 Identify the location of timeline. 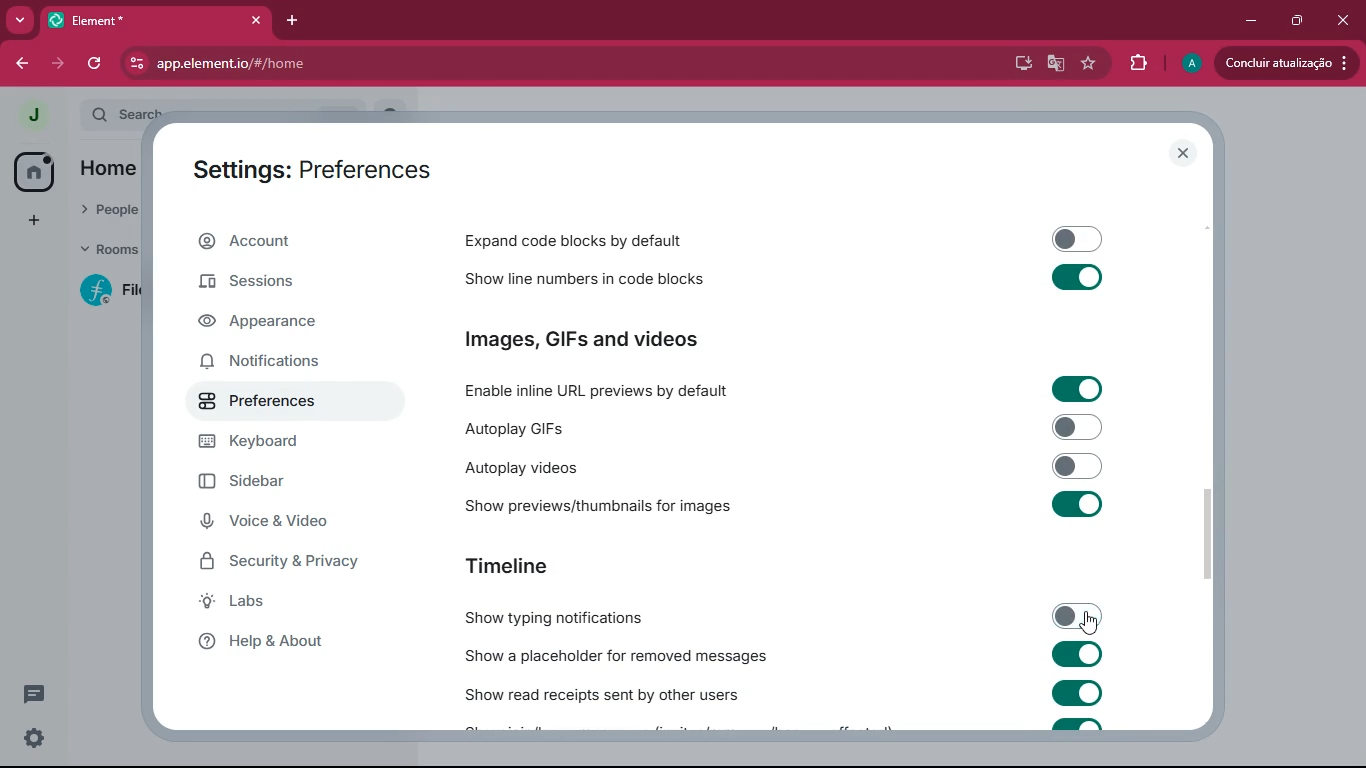
(507, 563).